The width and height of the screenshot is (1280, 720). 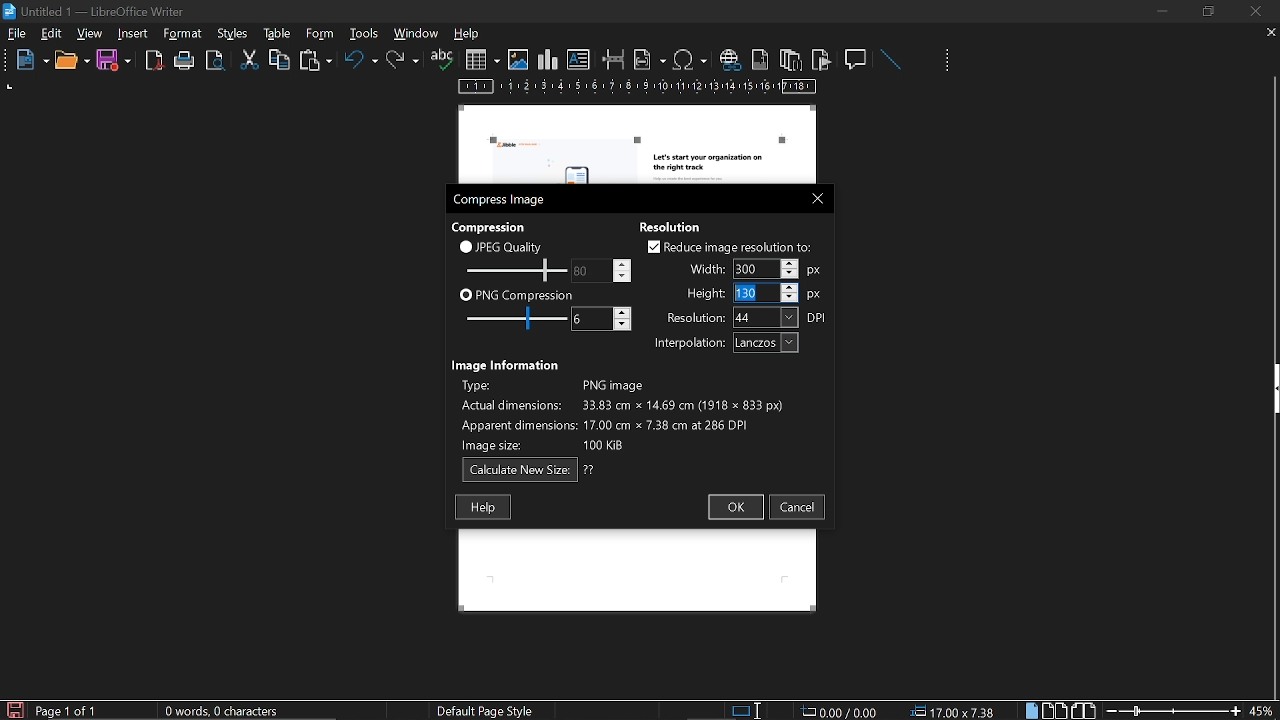 What do you see at coordinates (602, 270) in the screenshot?
I see `change jpeg quality ` at bounding box center [602, 270].